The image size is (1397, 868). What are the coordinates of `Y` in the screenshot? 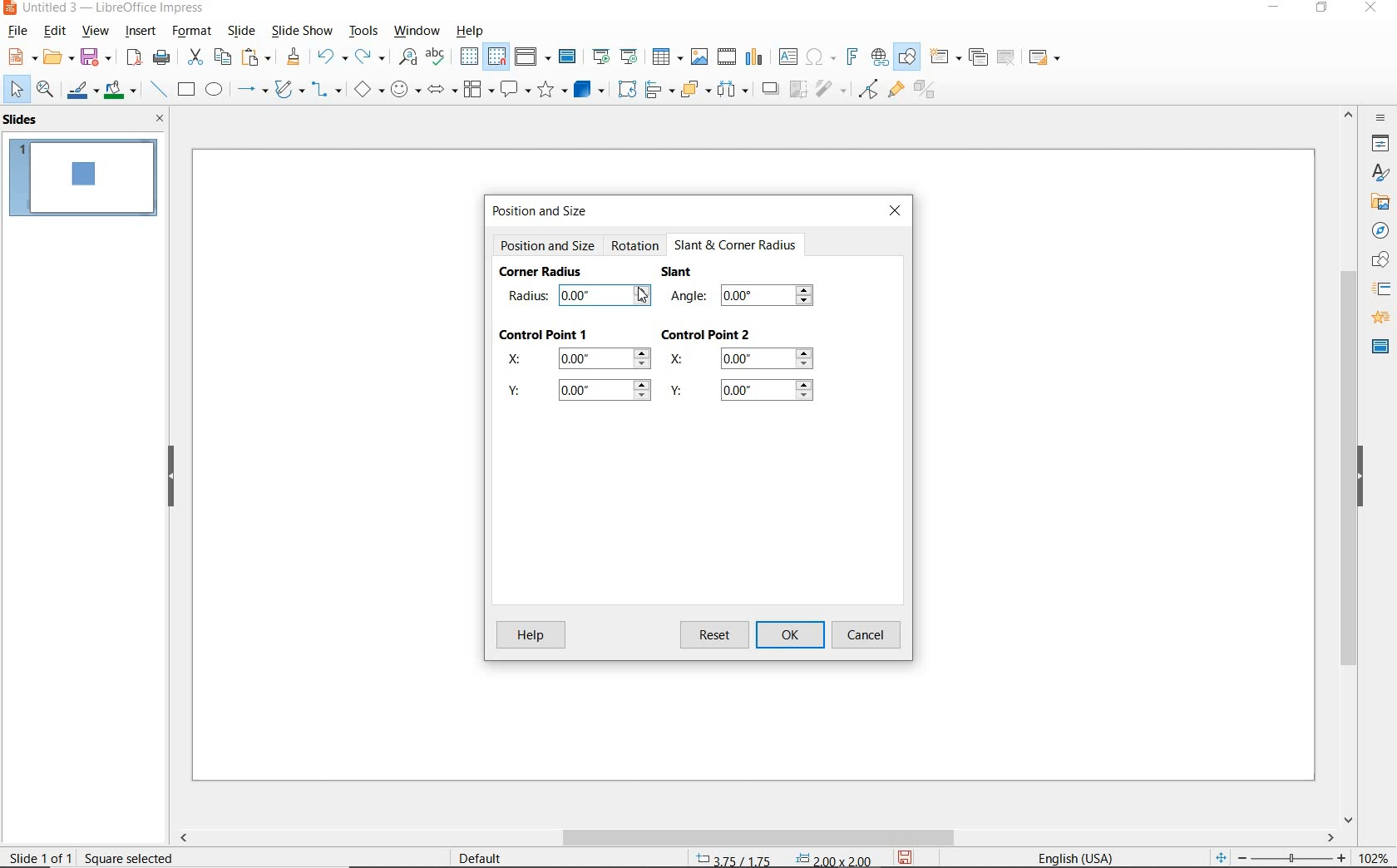 It's located at (744, 392).